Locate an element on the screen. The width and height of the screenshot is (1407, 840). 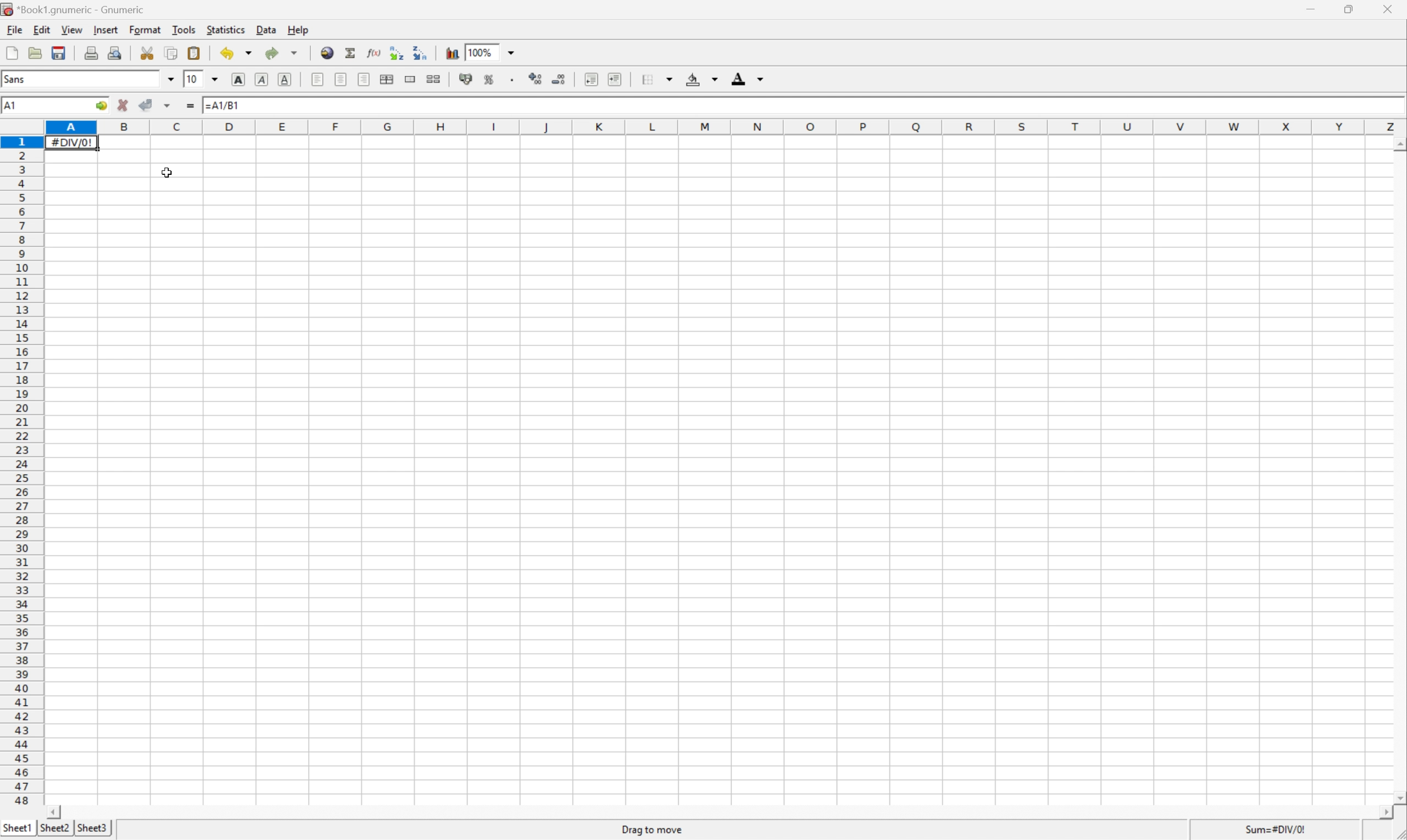
Edit a function in current cell  is located at coordinates (372, 53).